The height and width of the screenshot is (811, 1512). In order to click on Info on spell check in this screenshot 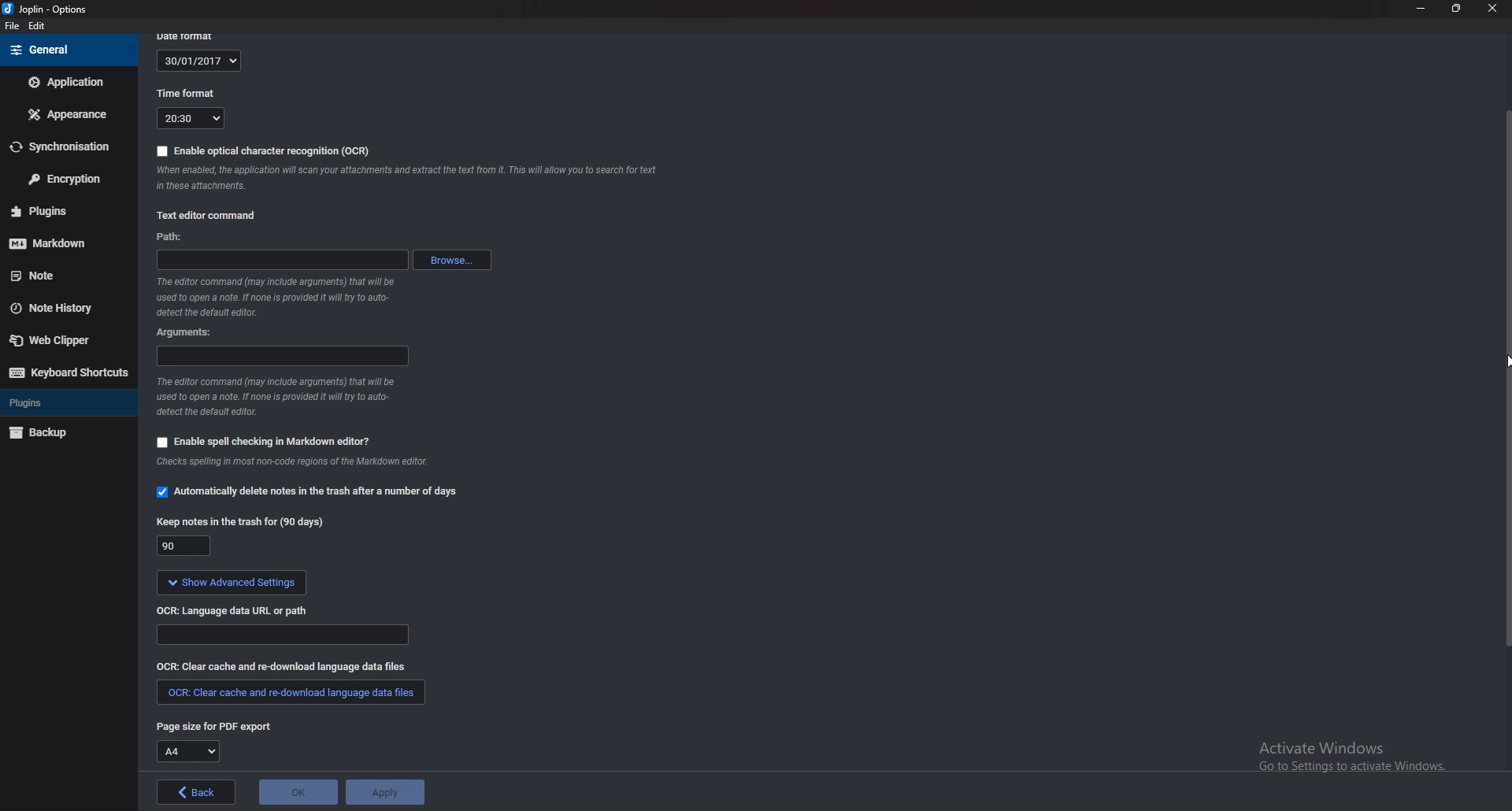, I will do `click(292, 462)`.